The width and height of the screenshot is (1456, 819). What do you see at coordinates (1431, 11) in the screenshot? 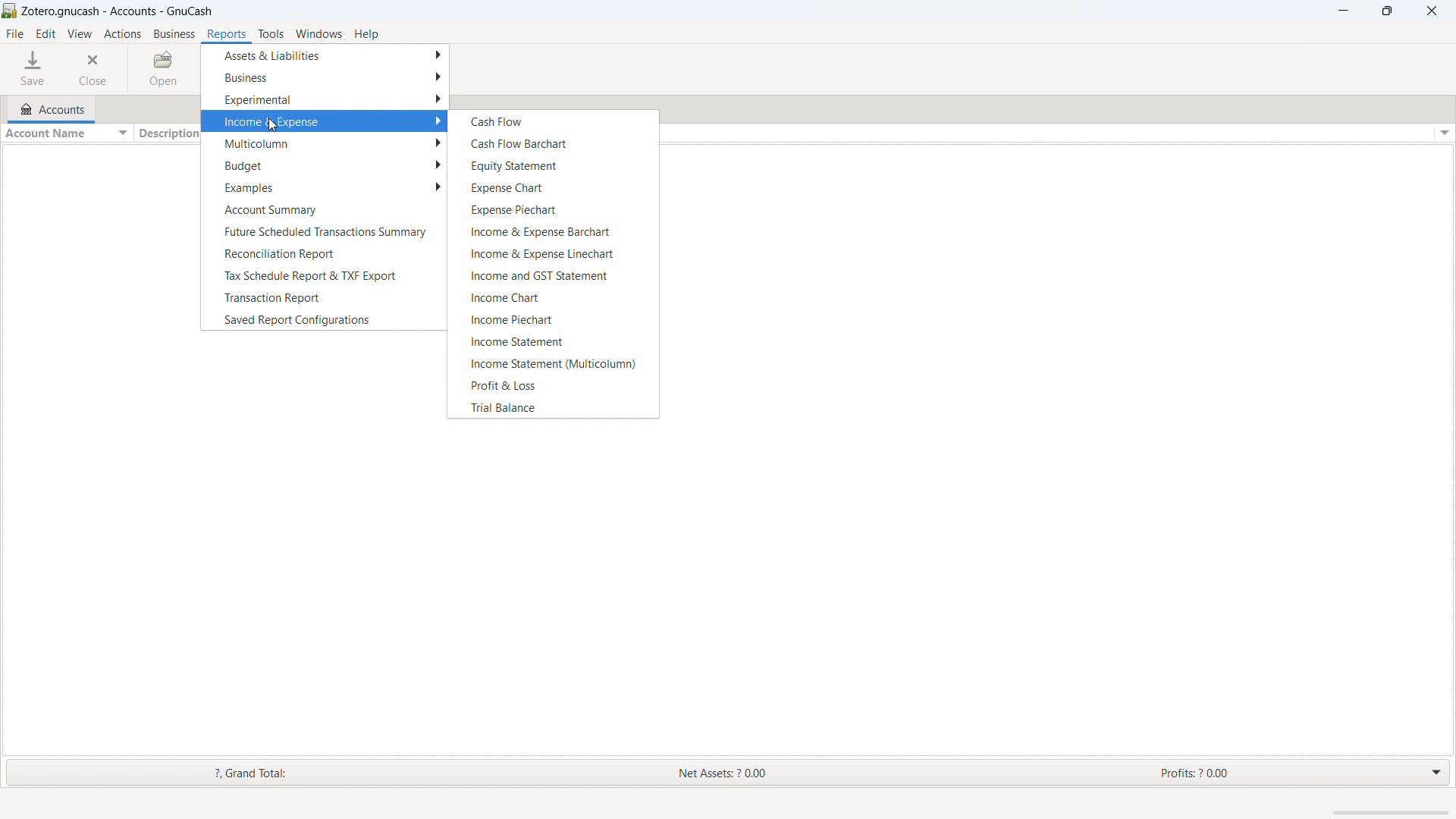
I see `close` at bounding box center [1431, 11].